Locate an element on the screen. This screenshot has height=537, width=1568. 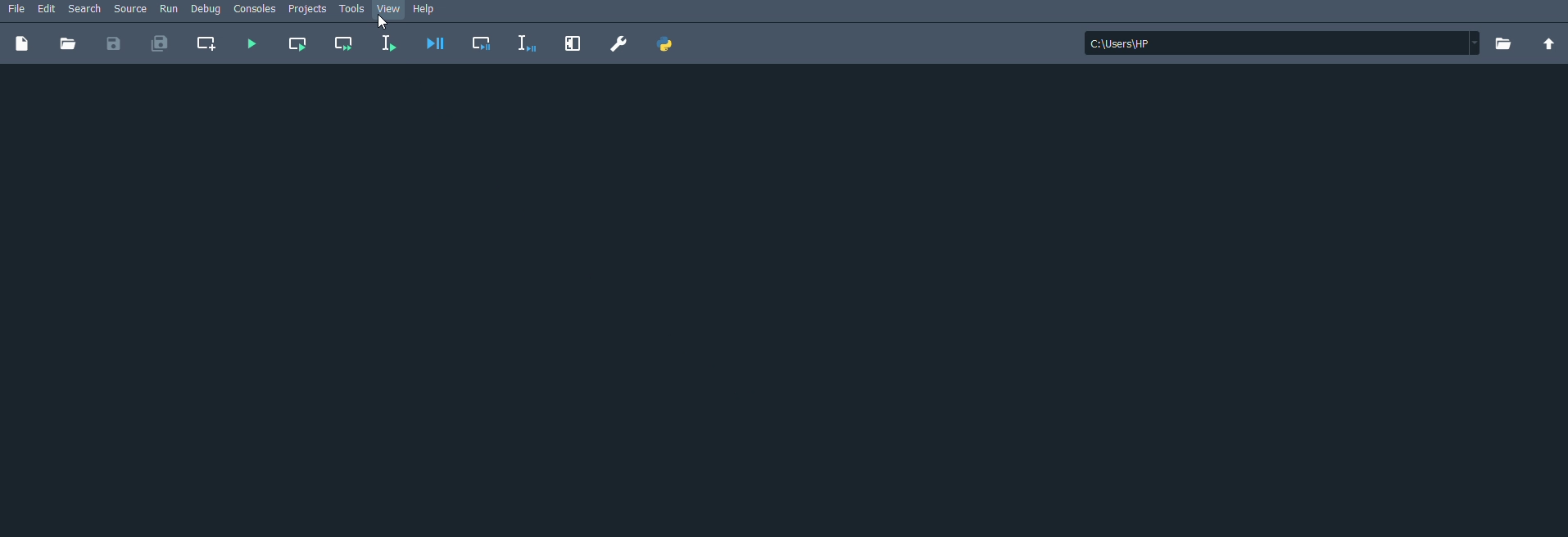
Save file is located at coordinates (113, 43).